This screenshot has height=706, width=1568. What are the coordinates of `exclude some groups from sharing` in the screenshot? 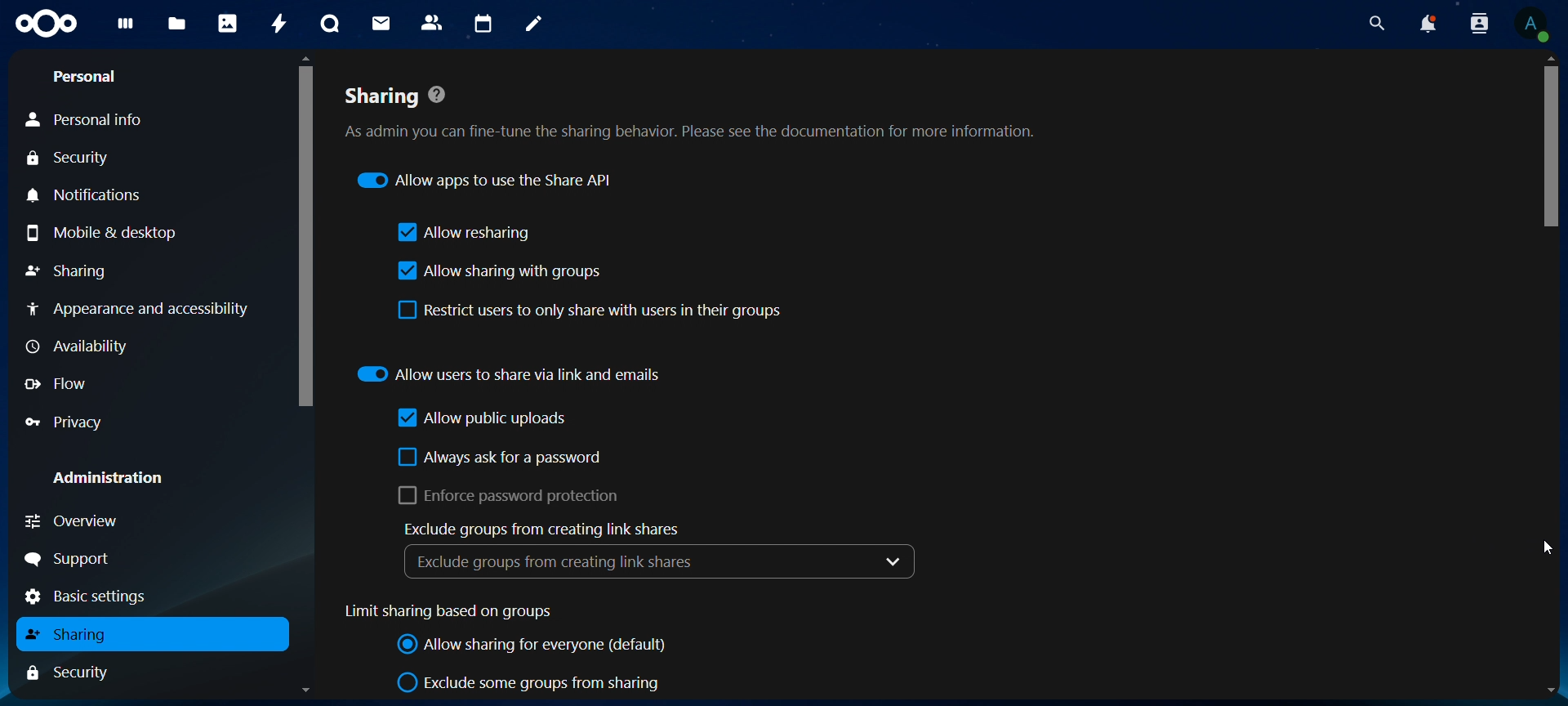 It's located at (536, 683).